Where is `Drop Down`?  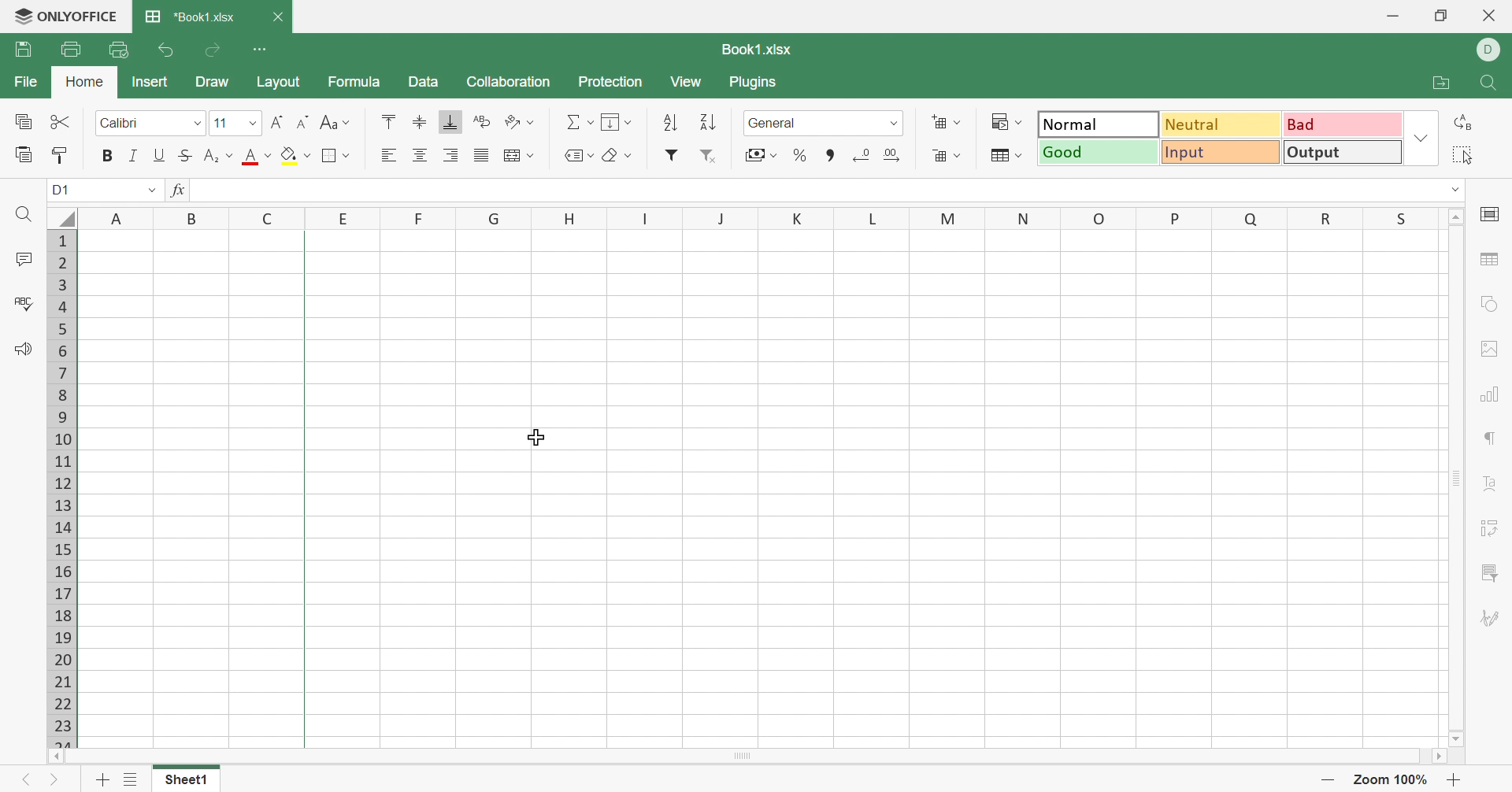
Drop Down is located at coordinates (230, 154).